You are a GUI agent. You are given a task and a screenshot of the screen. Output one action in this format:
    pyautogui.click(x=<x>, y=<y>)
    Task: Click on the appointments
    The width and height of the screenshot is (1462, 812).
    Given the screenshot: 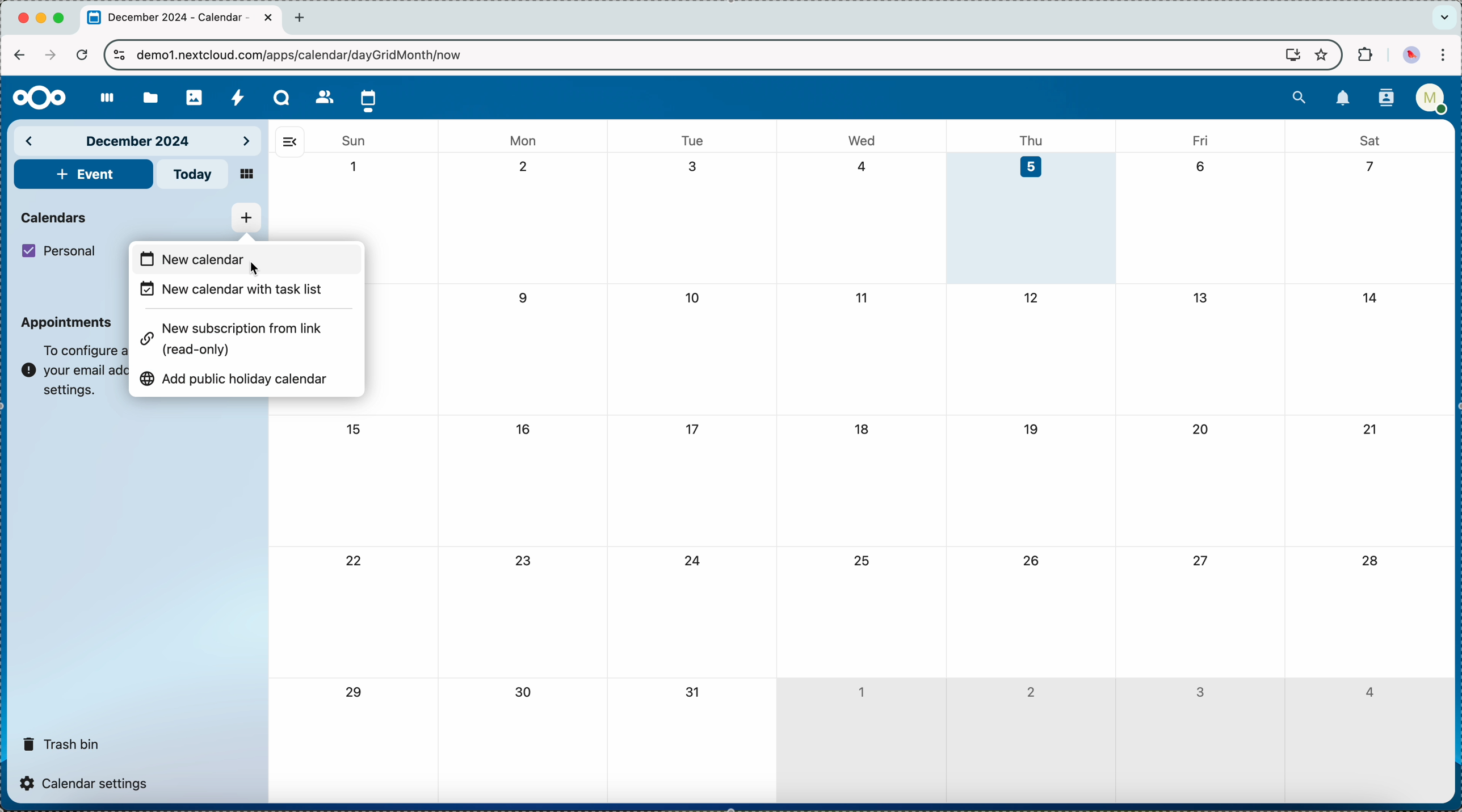 What is the action you would take?
    pyautogui.click(x=68, y=322)
    